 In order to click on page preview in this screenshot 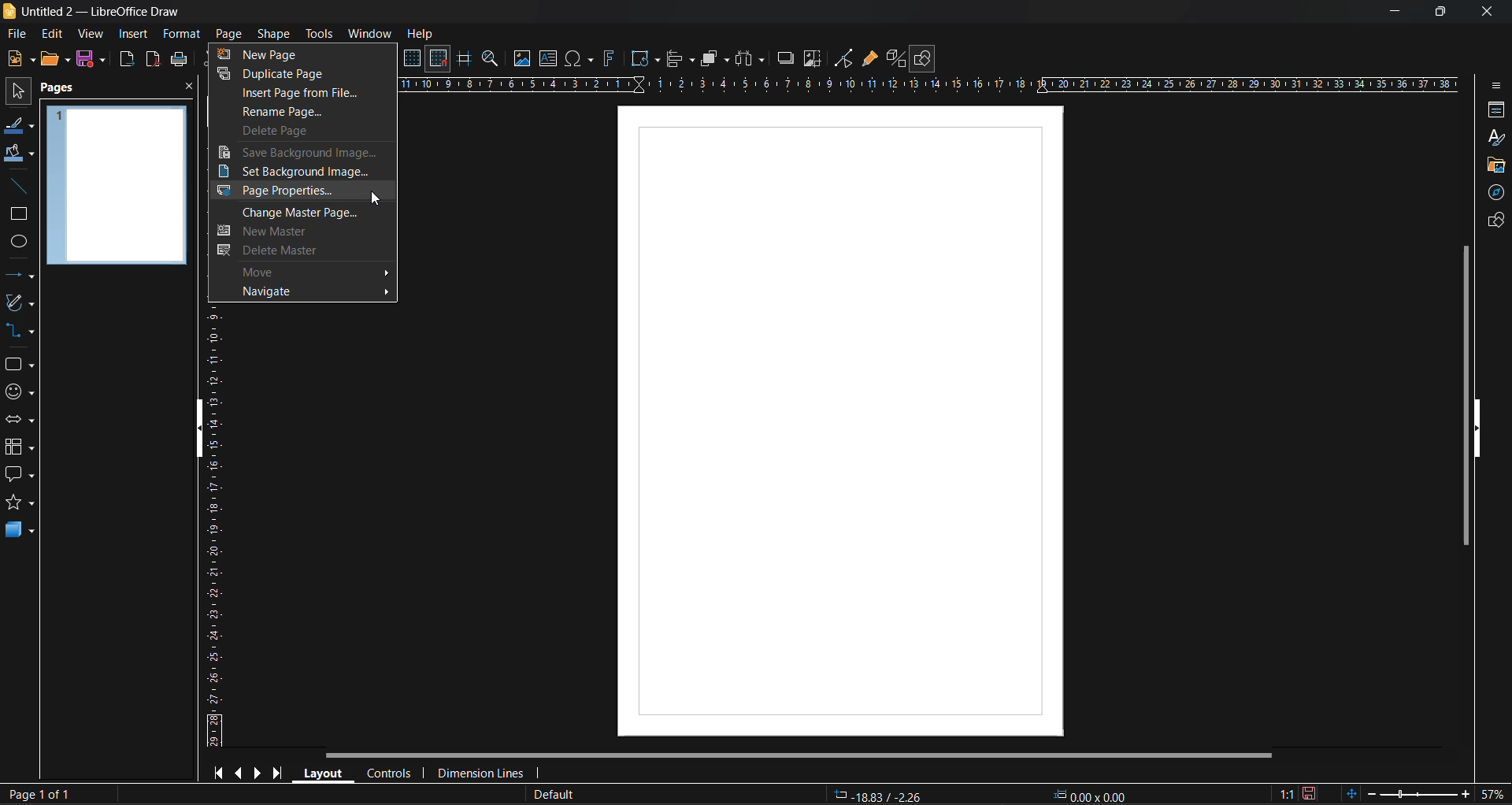, I will do `click(117, 187)`.